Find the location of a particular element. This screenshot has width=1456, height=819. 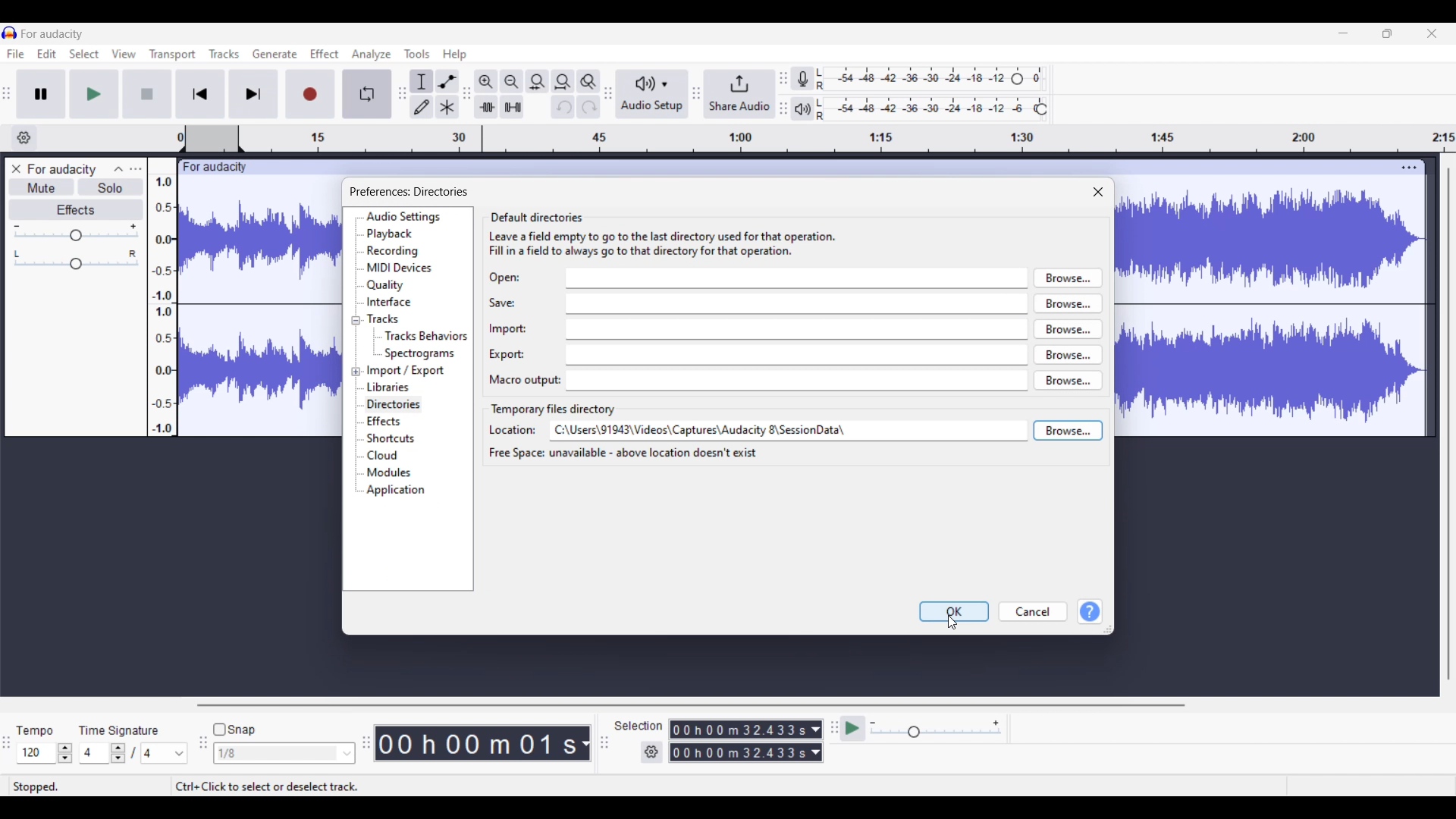

Snap options is located at coordinates (284, 753).